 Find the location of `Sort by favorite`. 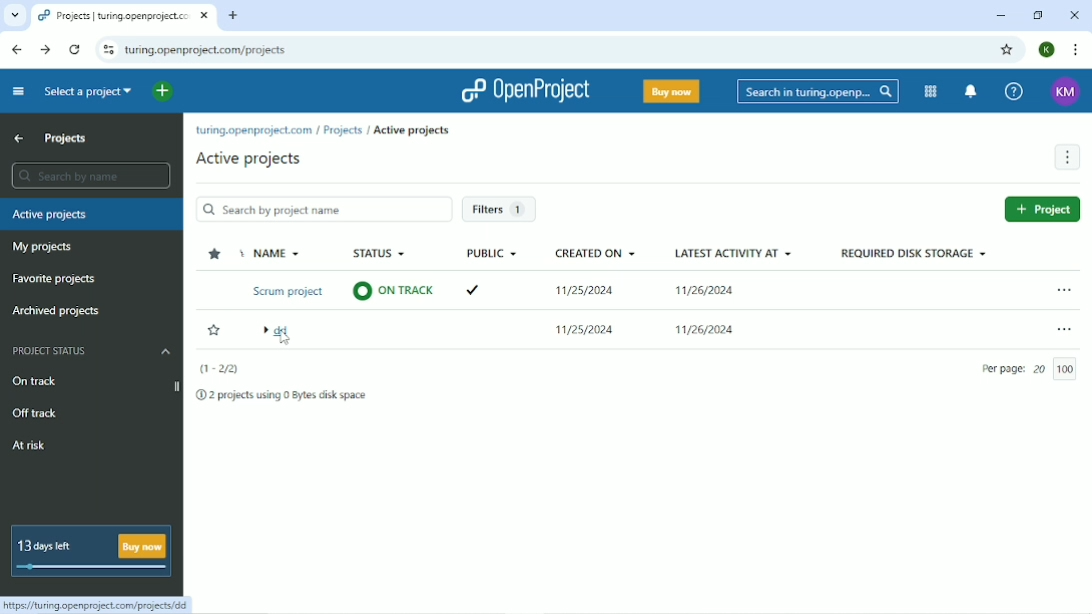

Sort by favorite is located at coordinates (215, 254).